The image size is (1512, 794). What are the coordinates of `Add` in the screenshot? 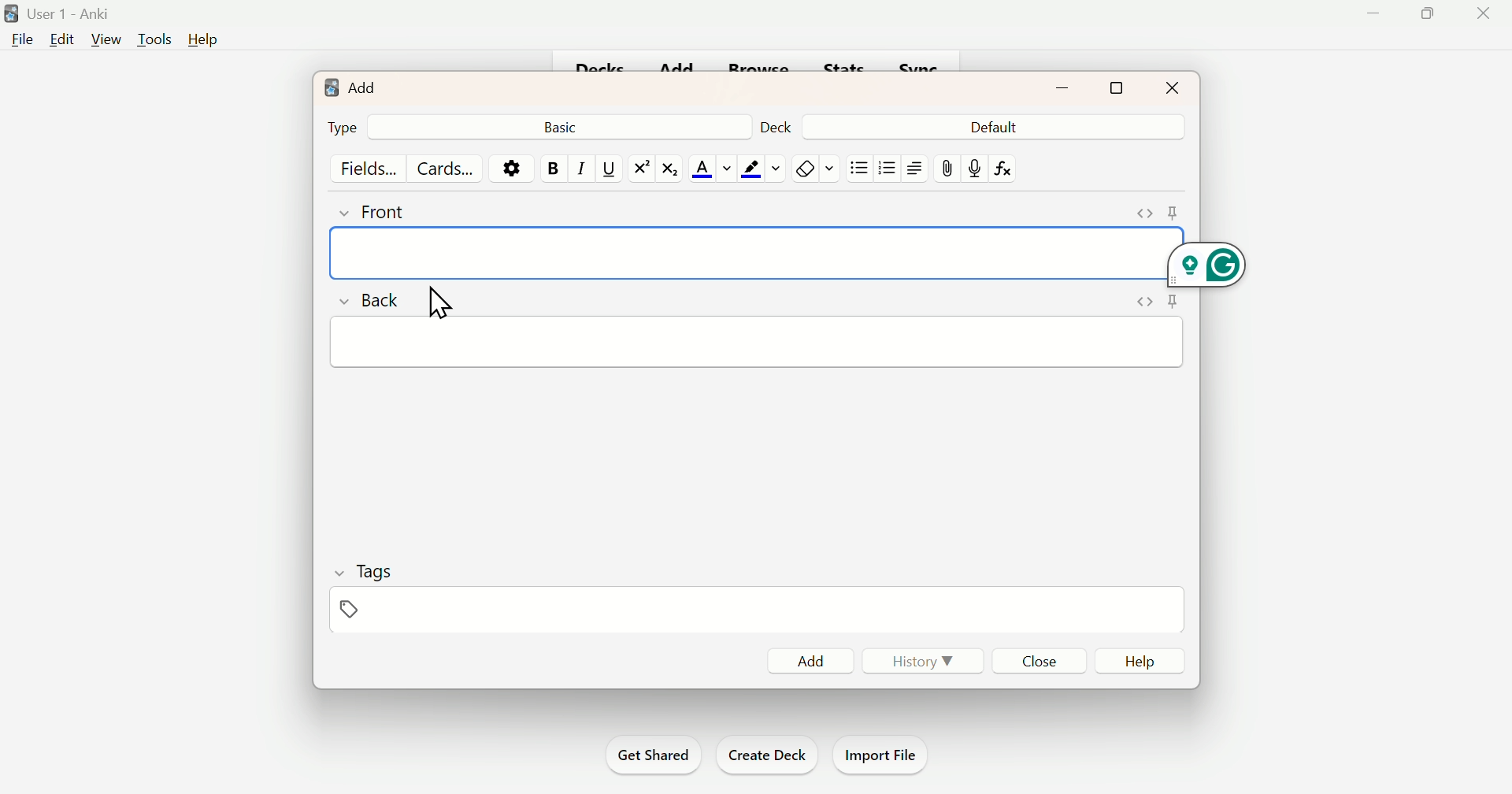 It's located at (353, 89).